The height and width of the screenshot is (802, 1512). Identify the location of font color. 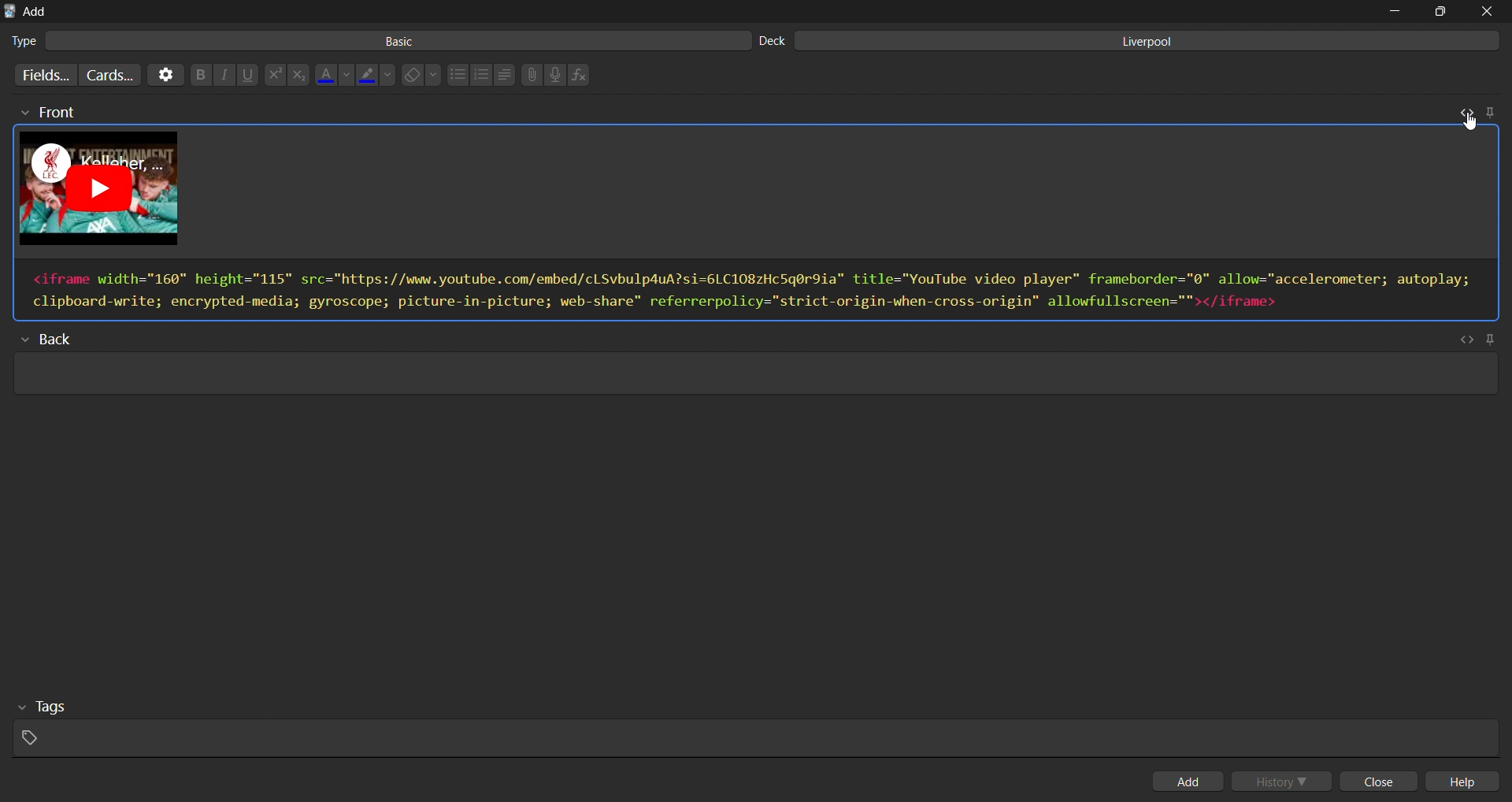
(335, 72).